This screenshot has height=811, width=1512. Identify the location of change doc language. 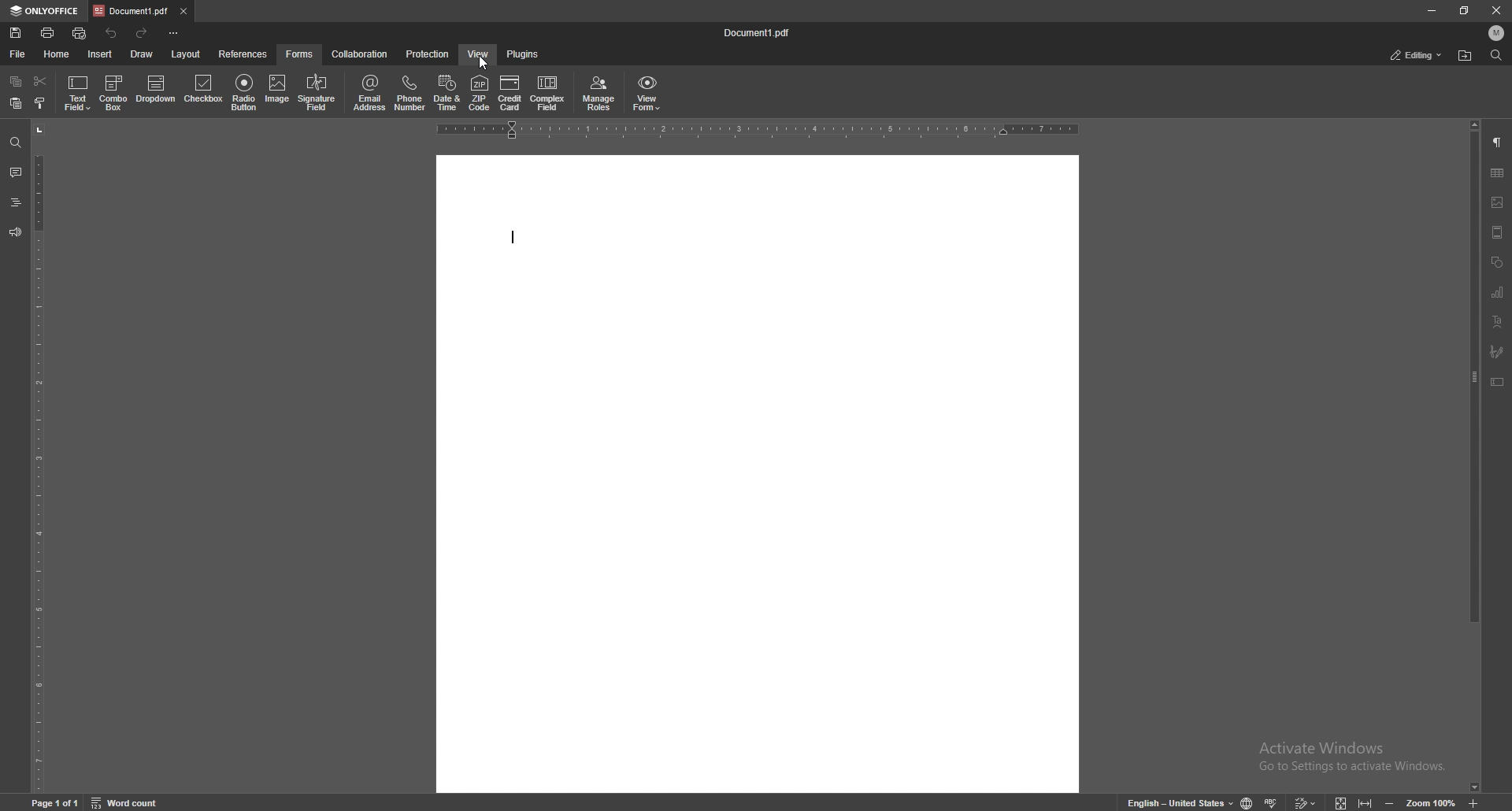
(1247, 802).